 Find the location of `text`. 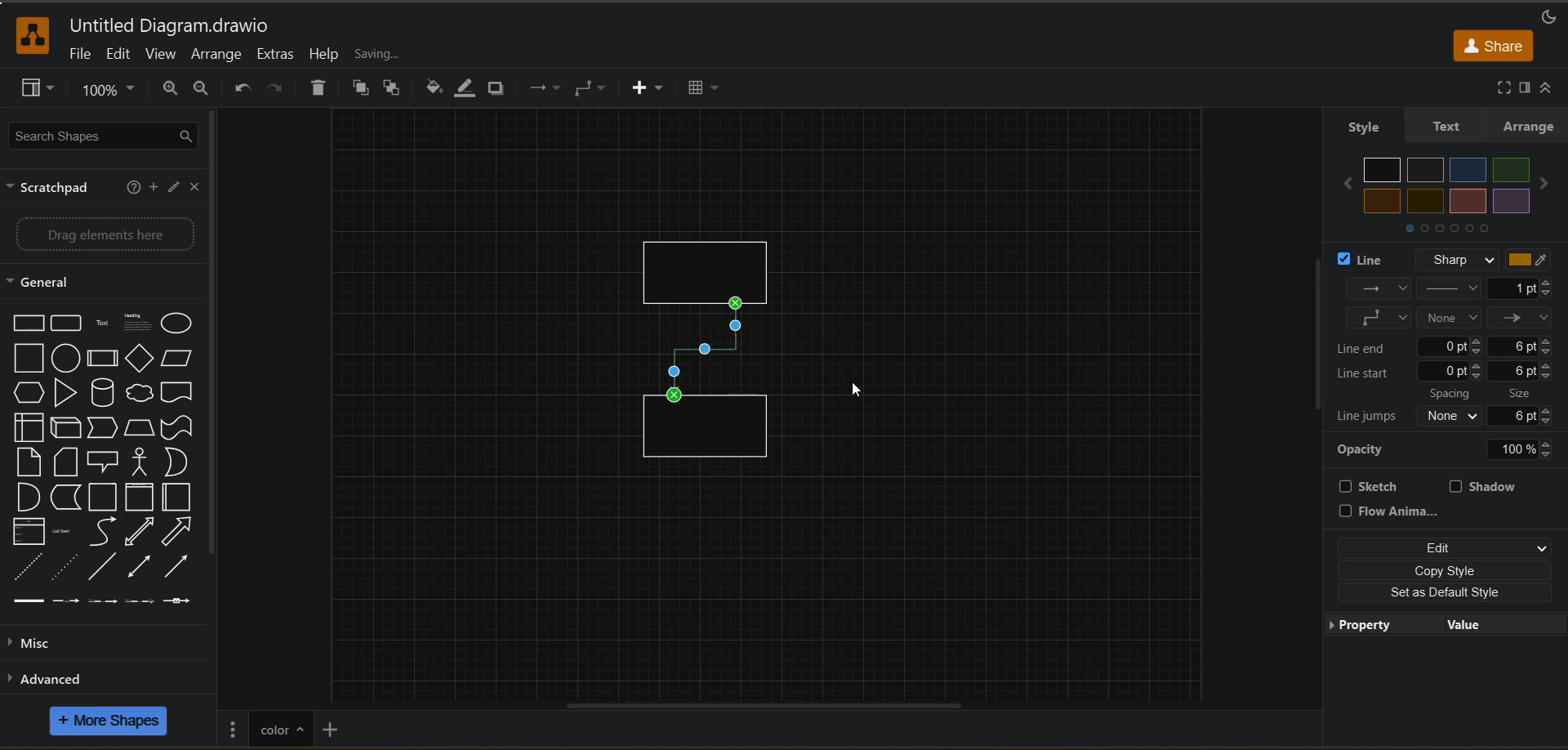

text is located at coordinates (1443, 126).